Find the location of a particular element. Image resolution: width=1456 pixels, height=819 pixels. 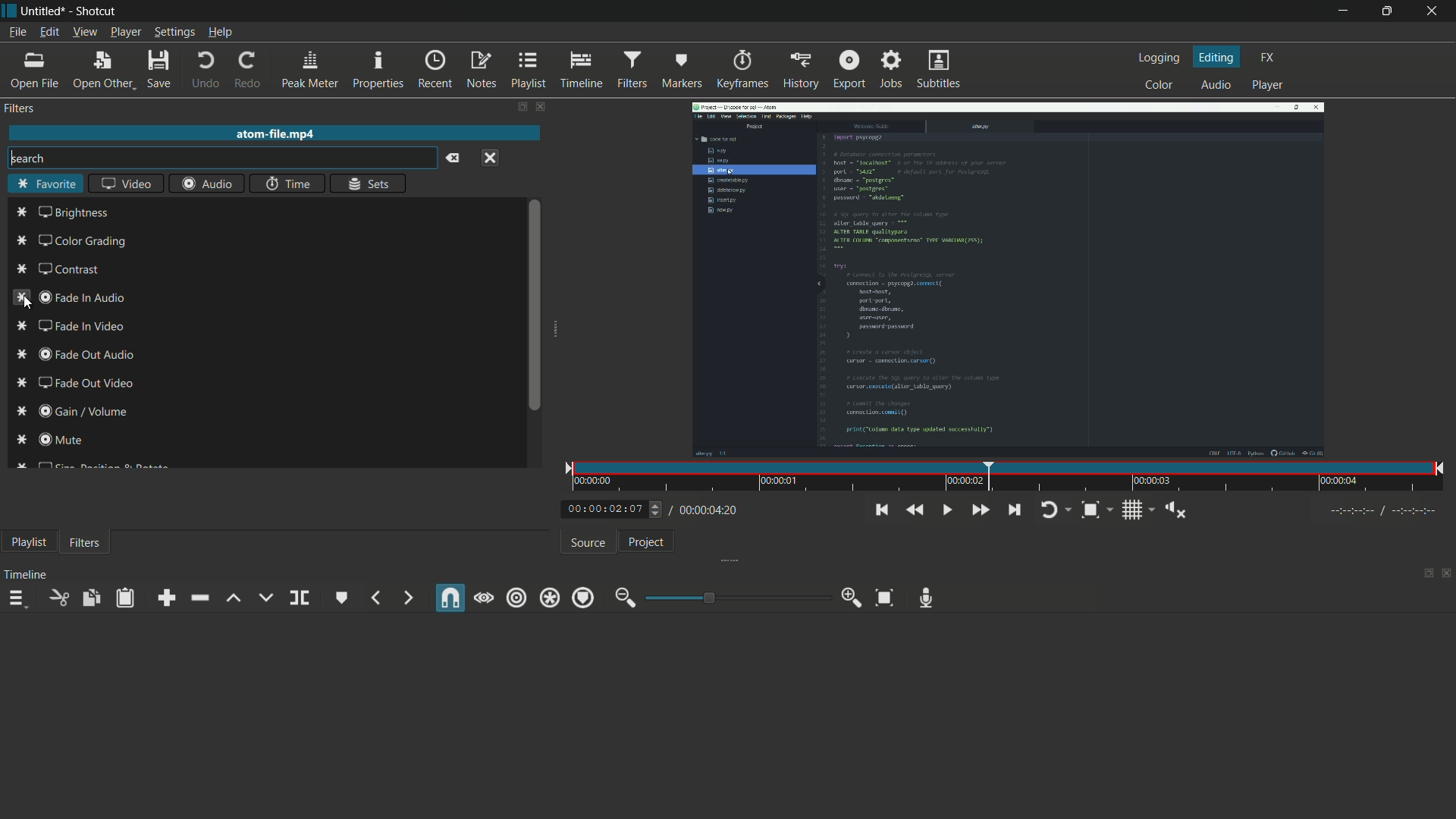

export is located at coordinates (849, 68).